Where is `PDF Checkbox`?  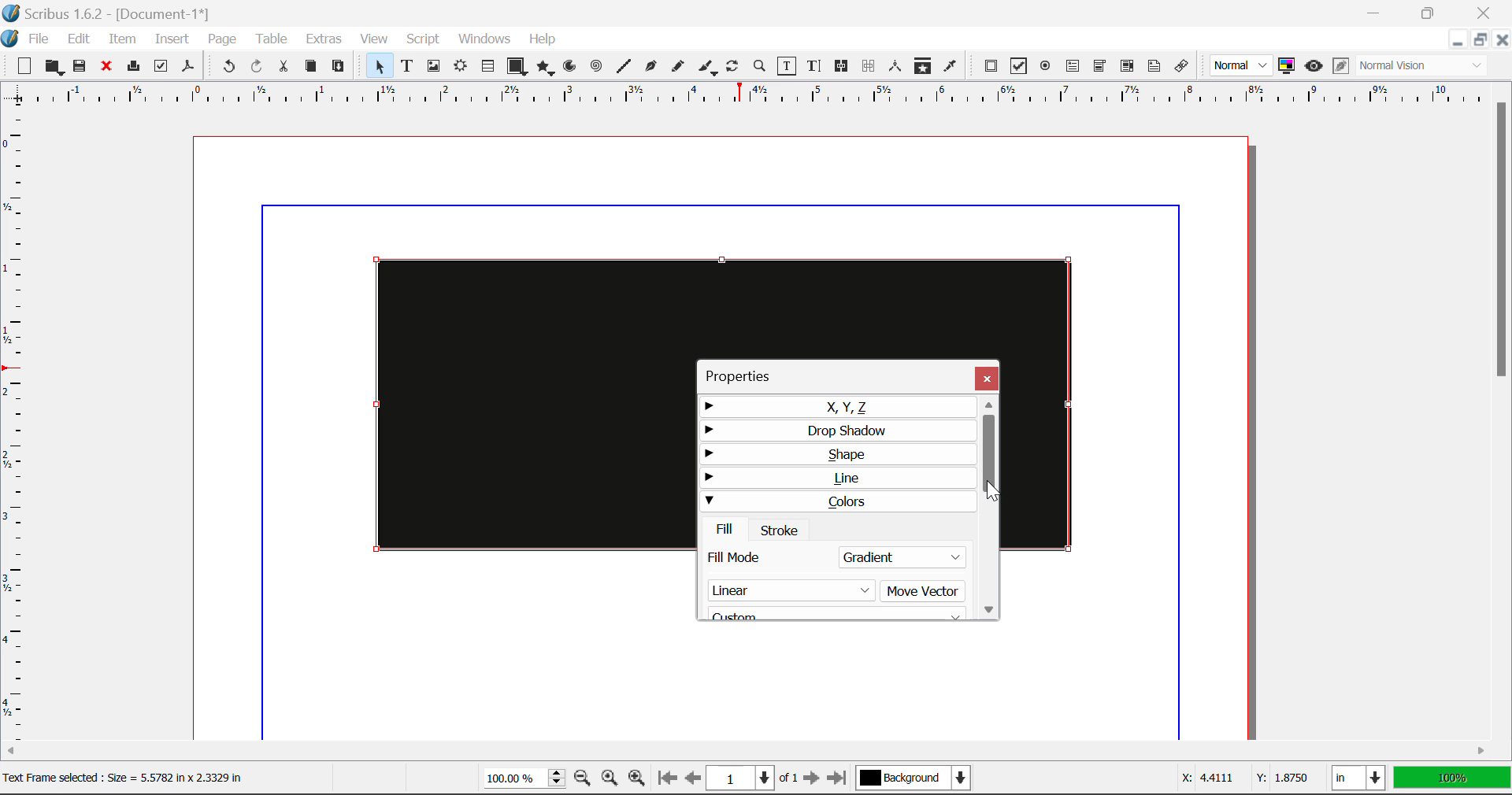
PDF Checkbox is located at coordinates (1017, 66).